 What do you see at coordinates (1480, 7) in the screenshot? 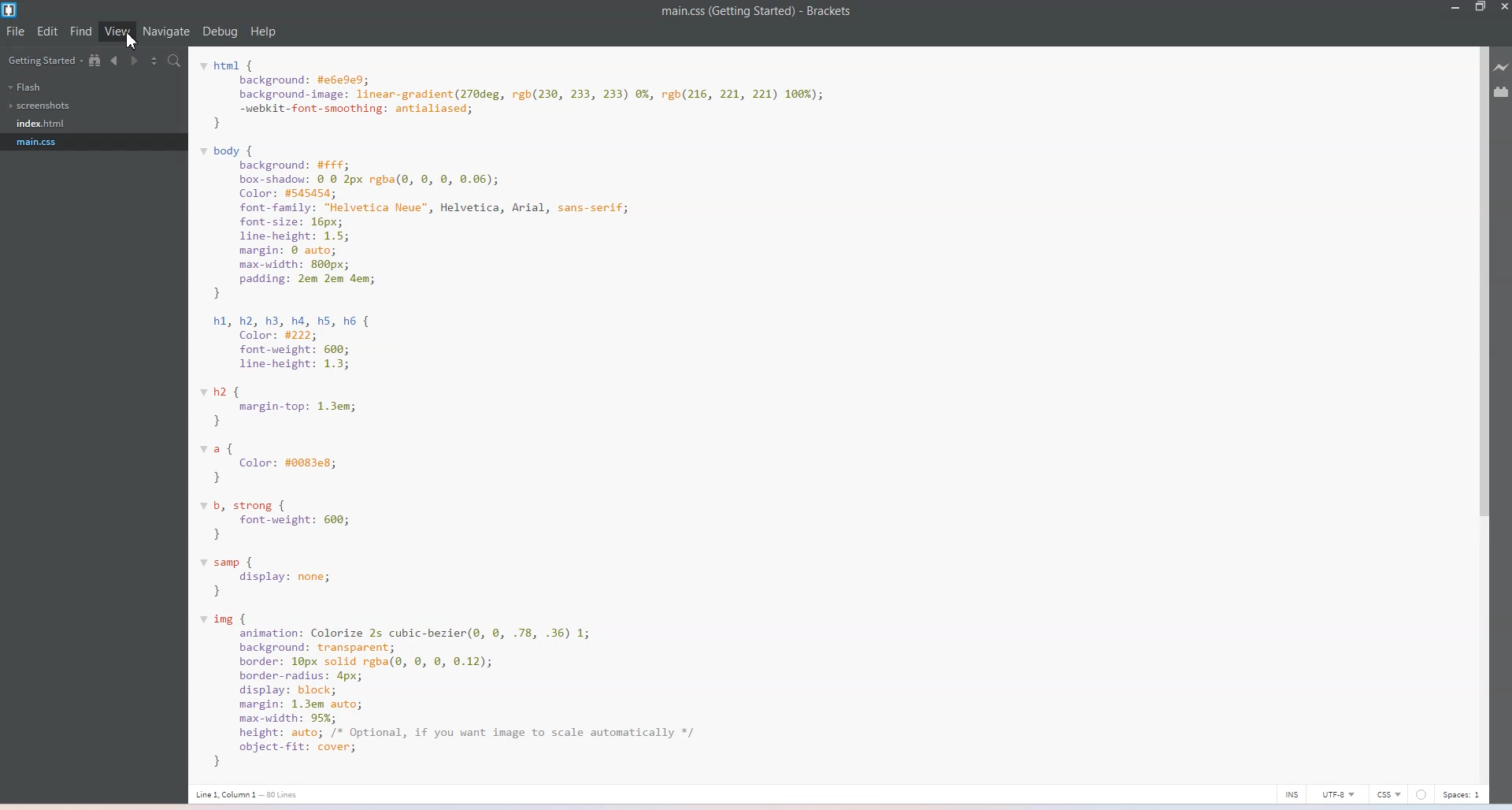
I see `Maximize` at bounding box center [1480, 7].